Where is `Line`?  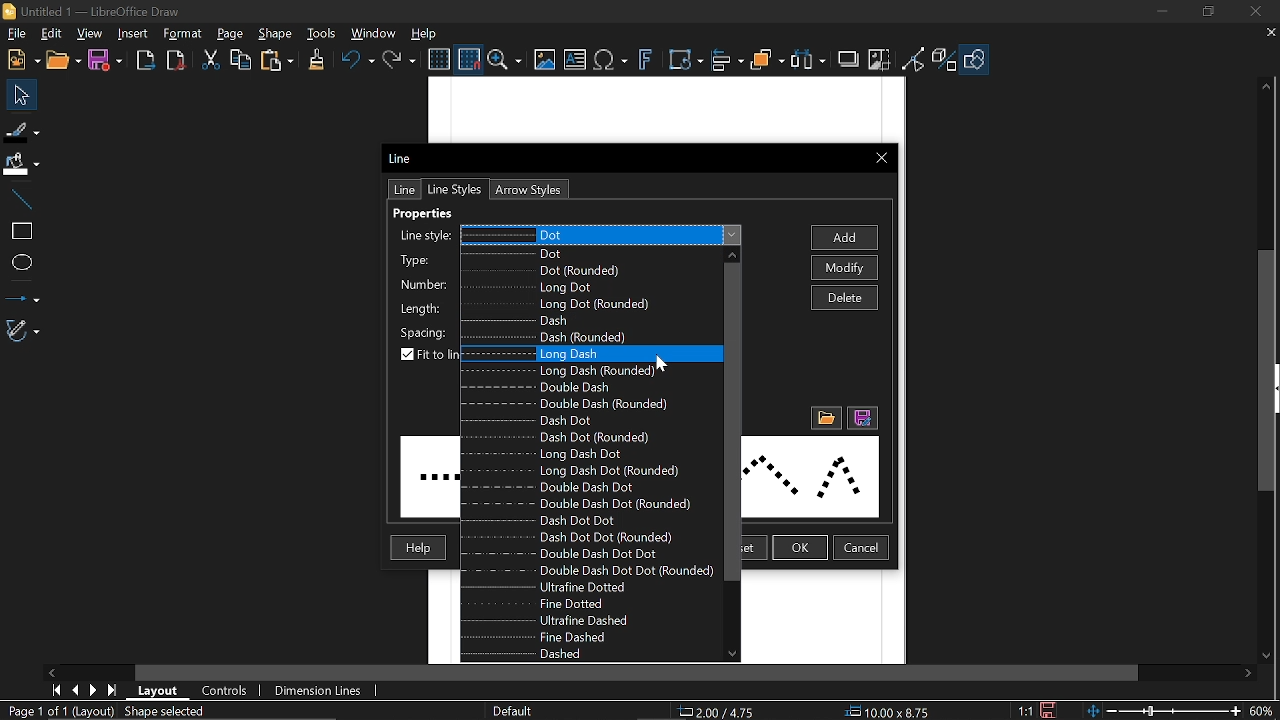
Line is located at coordinates (402, 190).